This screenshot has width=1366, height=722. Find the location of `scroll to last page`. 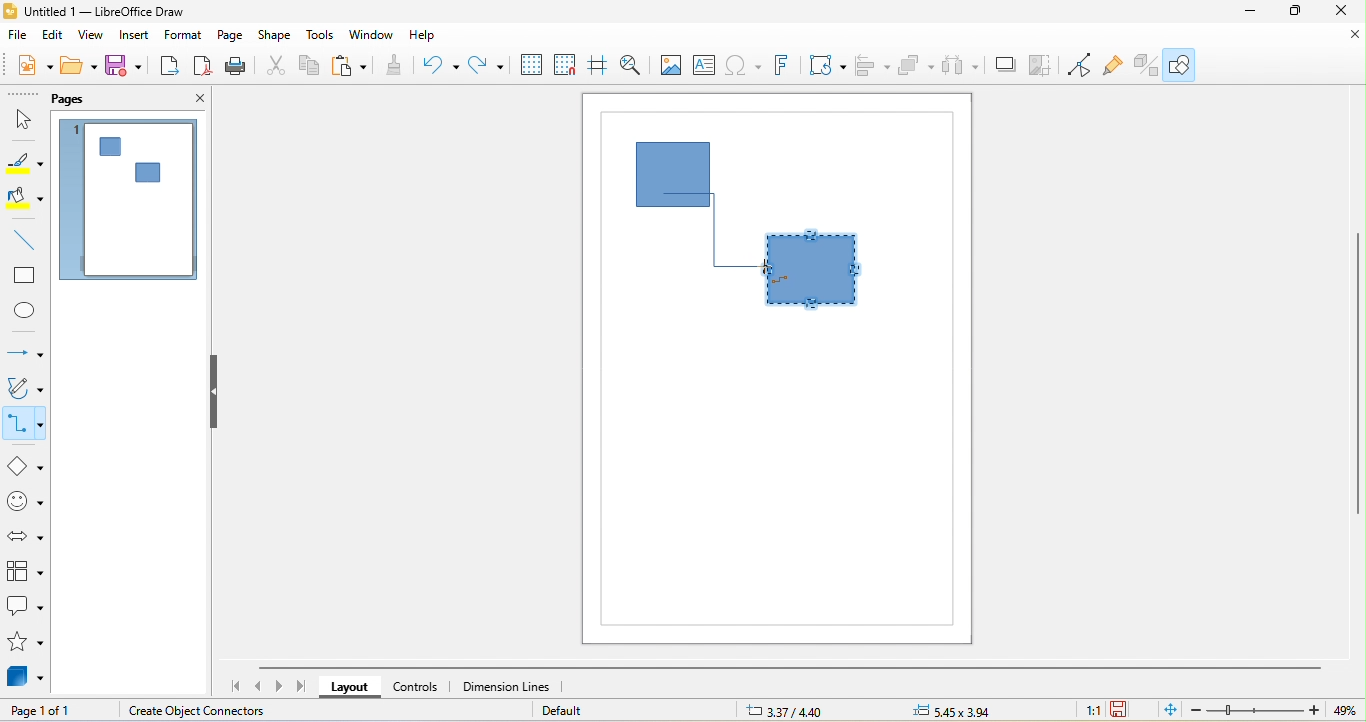

scroll to last page is located at coordinates (303, 686).